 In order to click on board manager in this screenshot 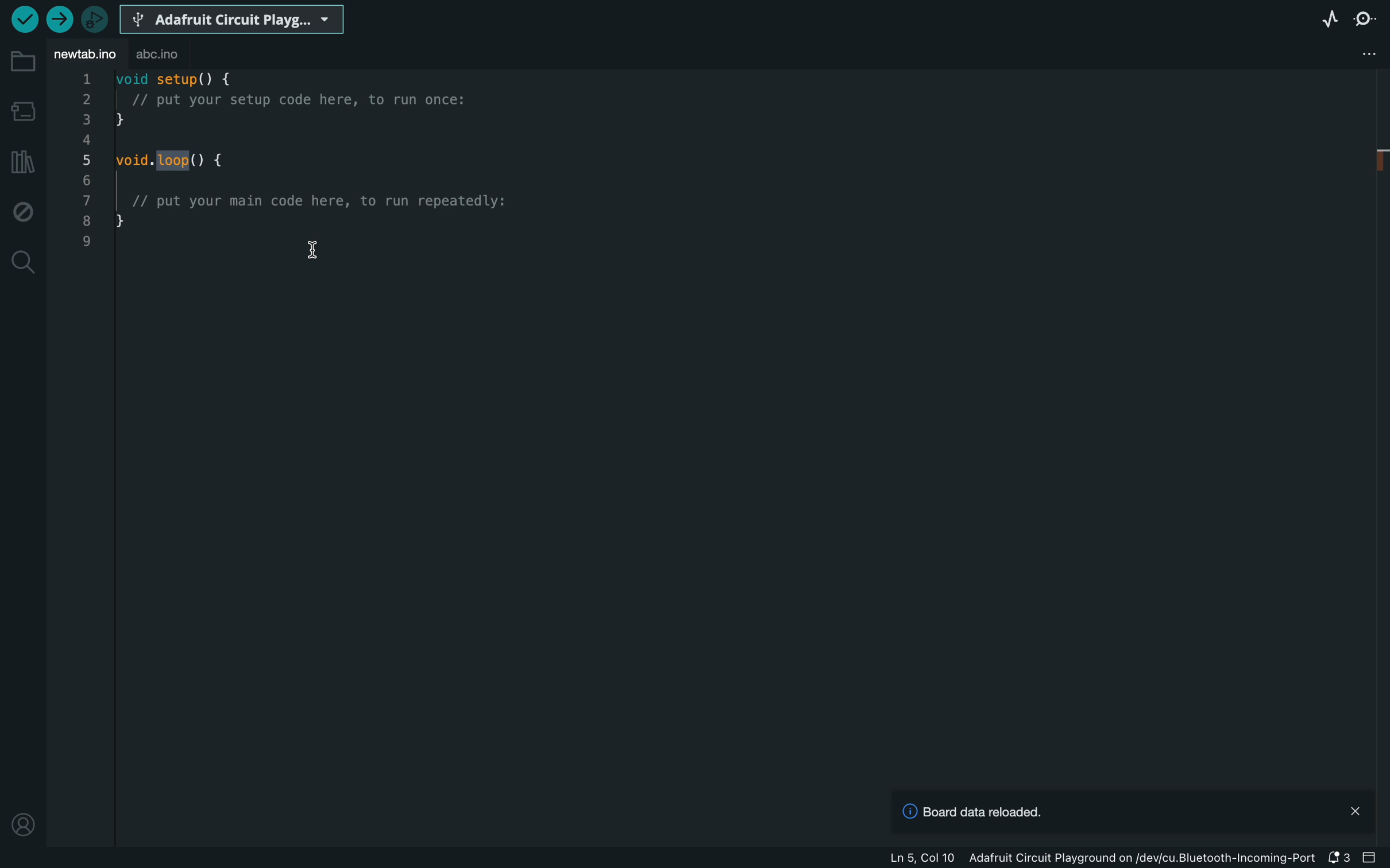, I will do `click(22, 111)`.